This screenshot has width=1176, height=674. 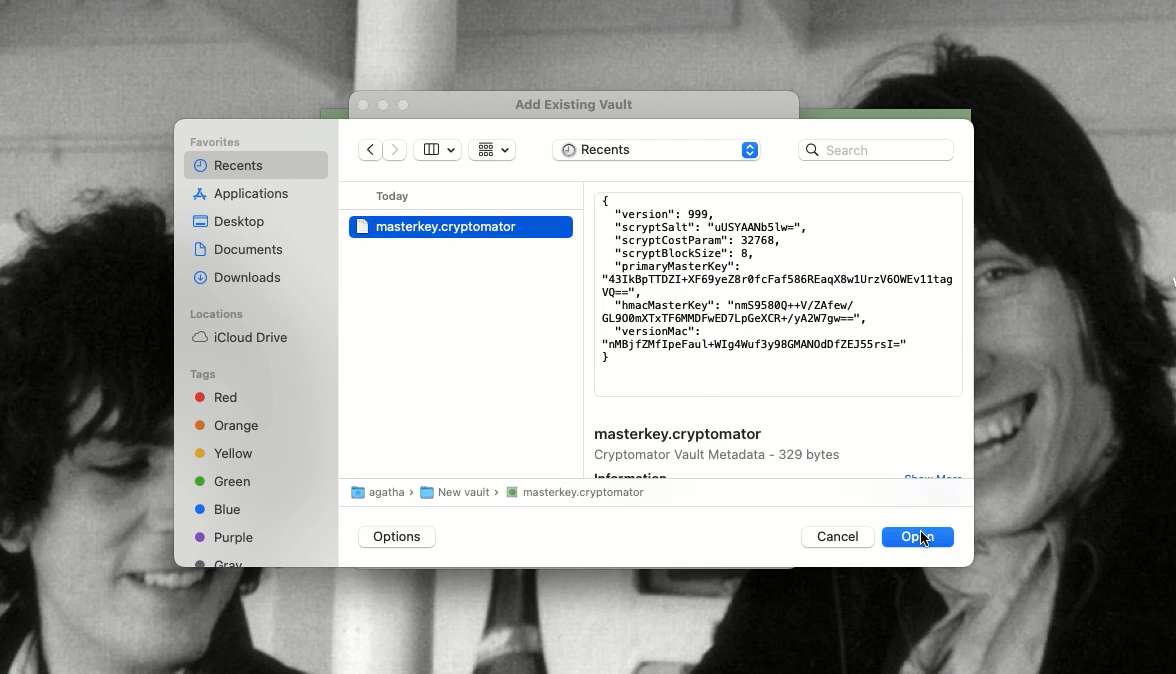 I want to click on Documents, so click(x=239, y=249).